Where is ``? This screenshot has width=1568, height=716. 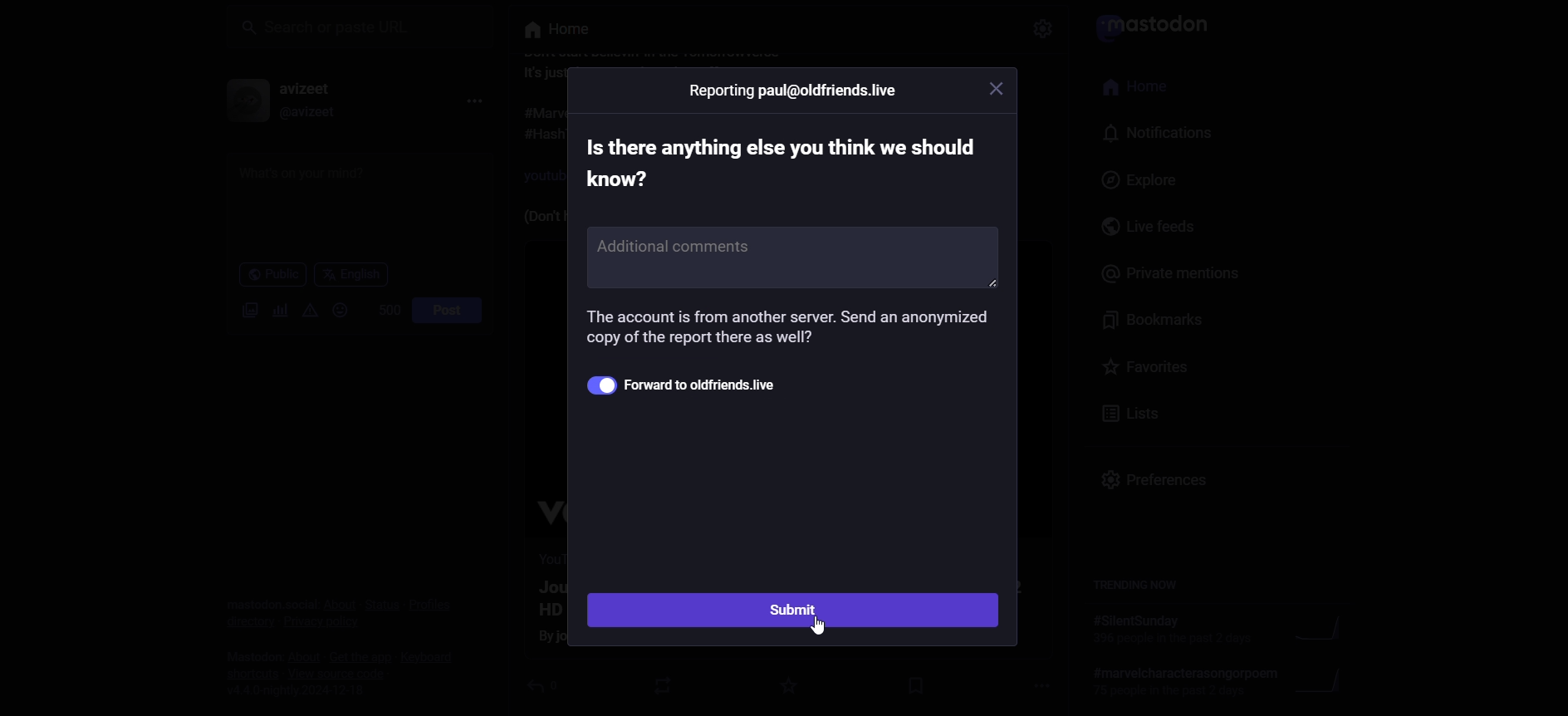  is located at coordinates (991, 90).